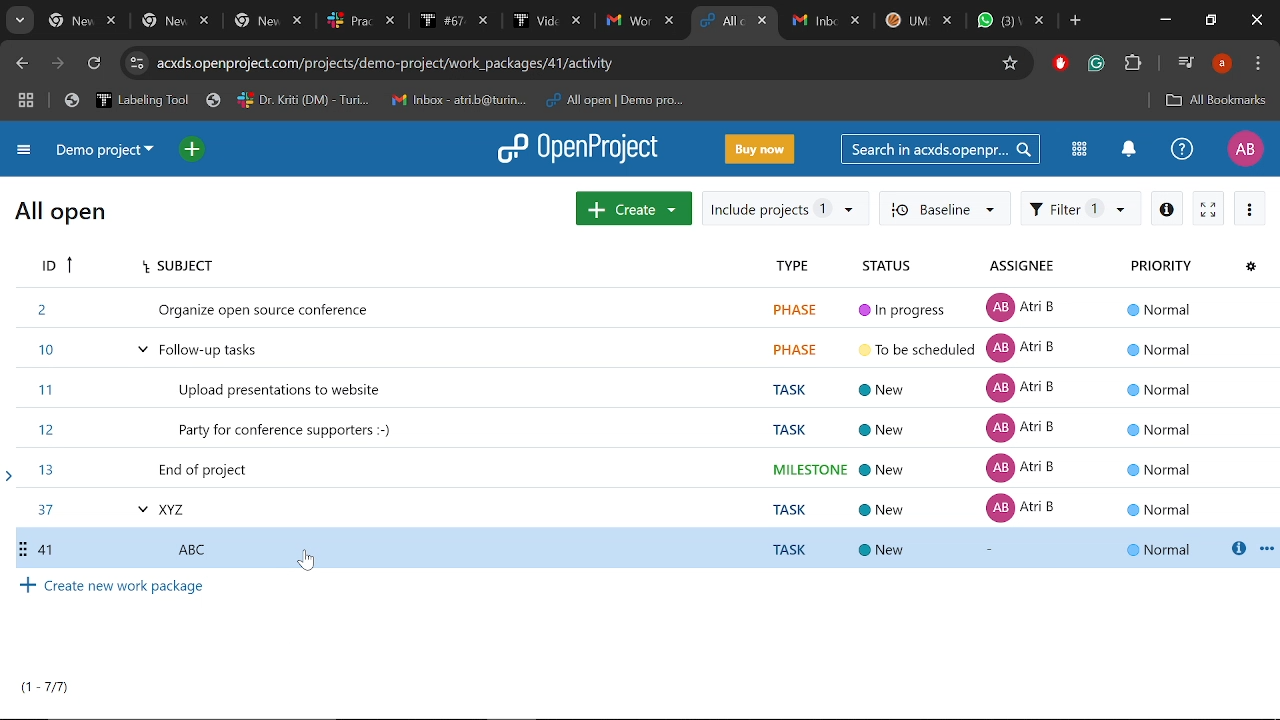  I want to click on ID, so click(54, 266).